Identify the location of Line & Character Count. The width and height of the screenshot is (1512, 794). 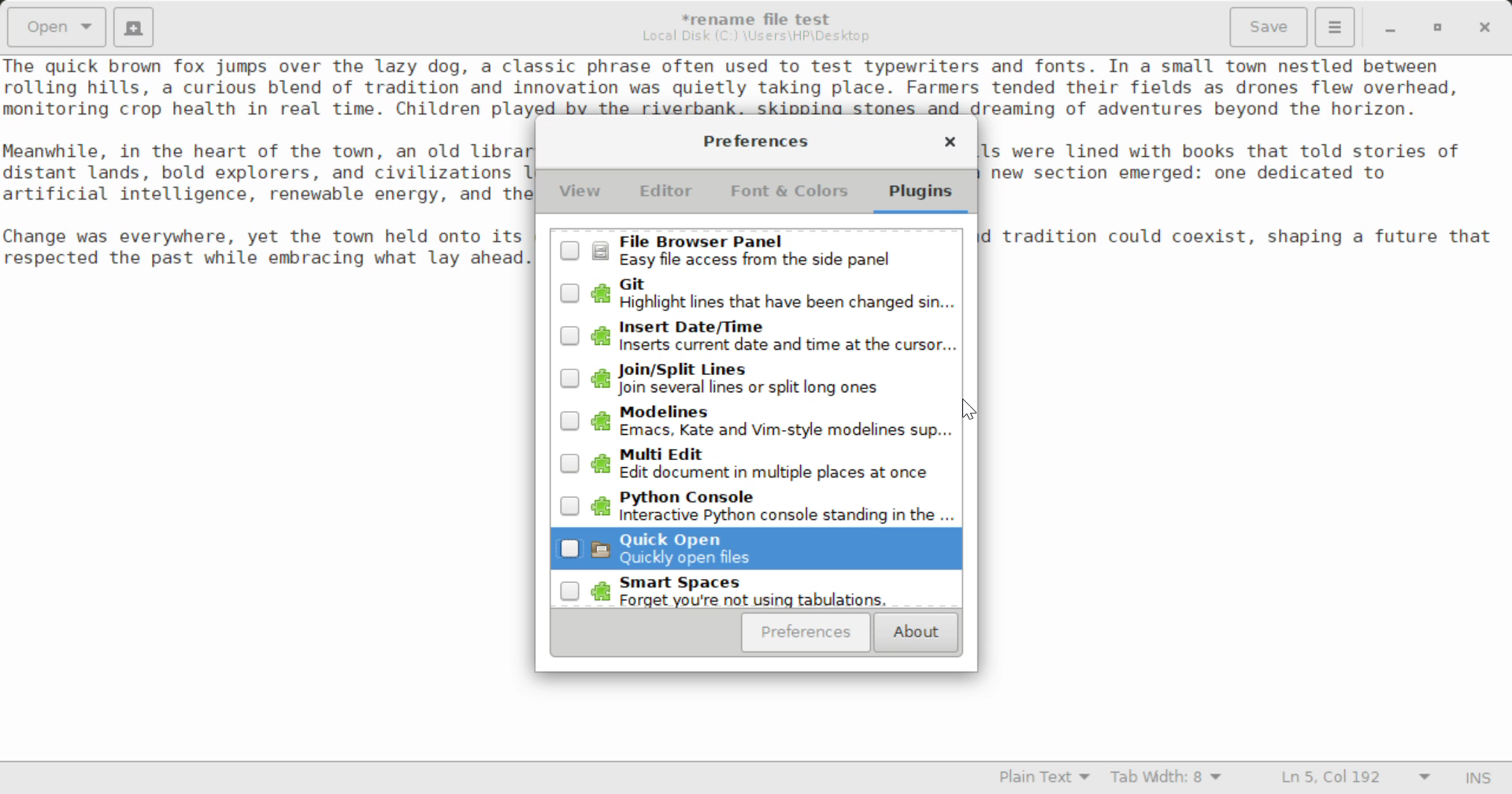
(1356, 779).